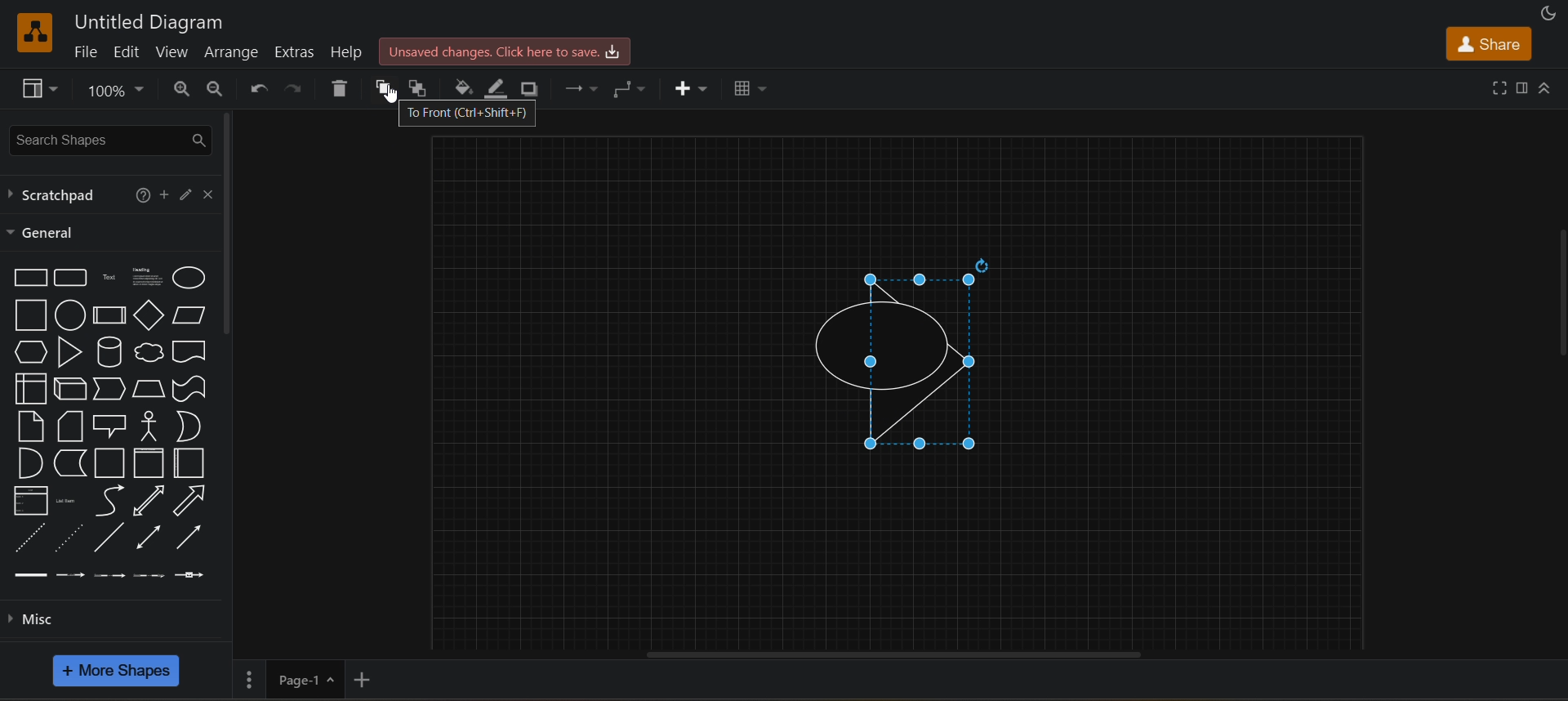  Describe the element at coordinates (291, 678) in the screenshot. I see `page 1` at that location.